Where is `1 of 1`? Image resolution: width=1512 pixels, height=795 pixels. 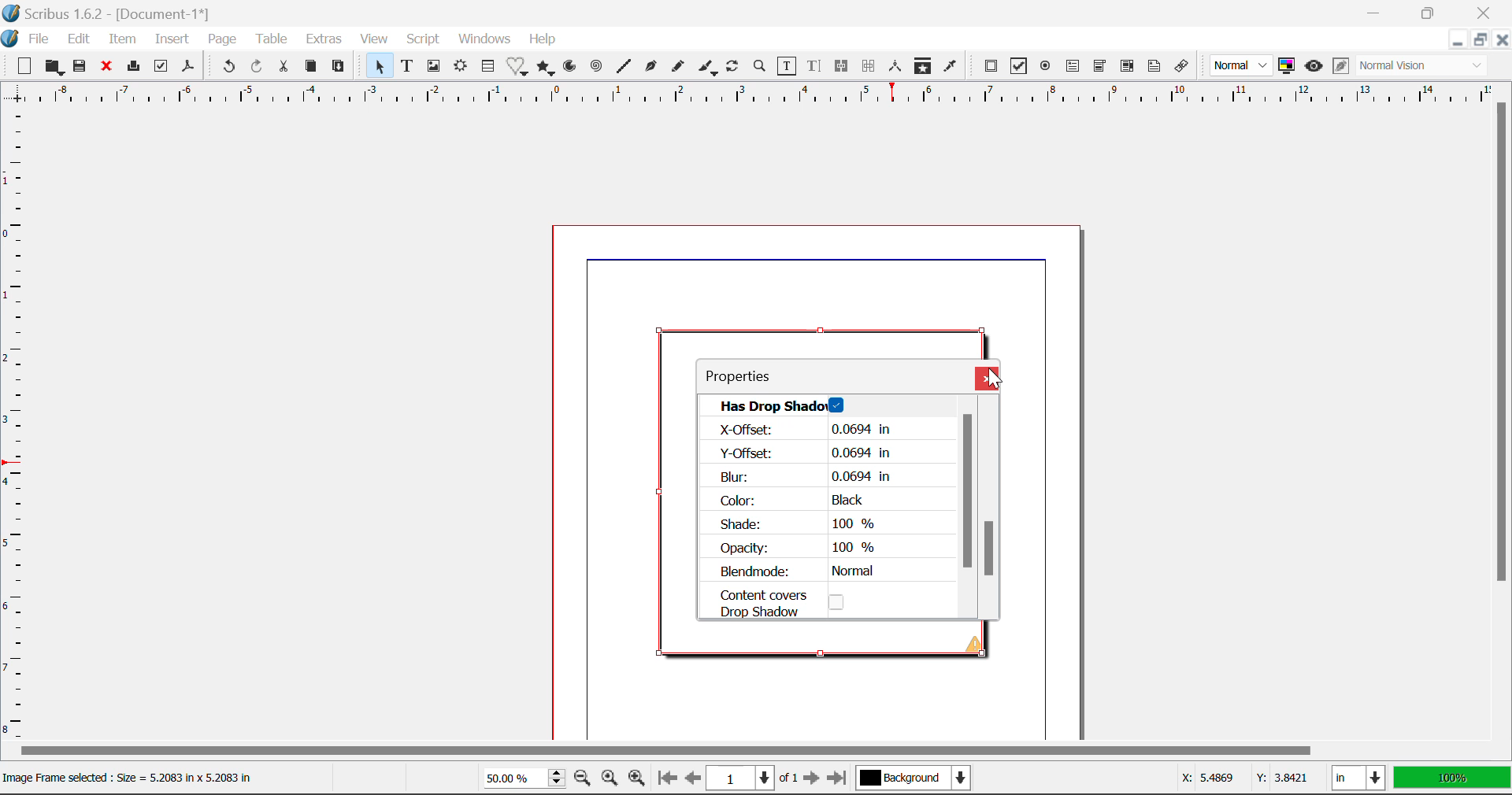
1 of 1 is located at coordinates (751, 778).